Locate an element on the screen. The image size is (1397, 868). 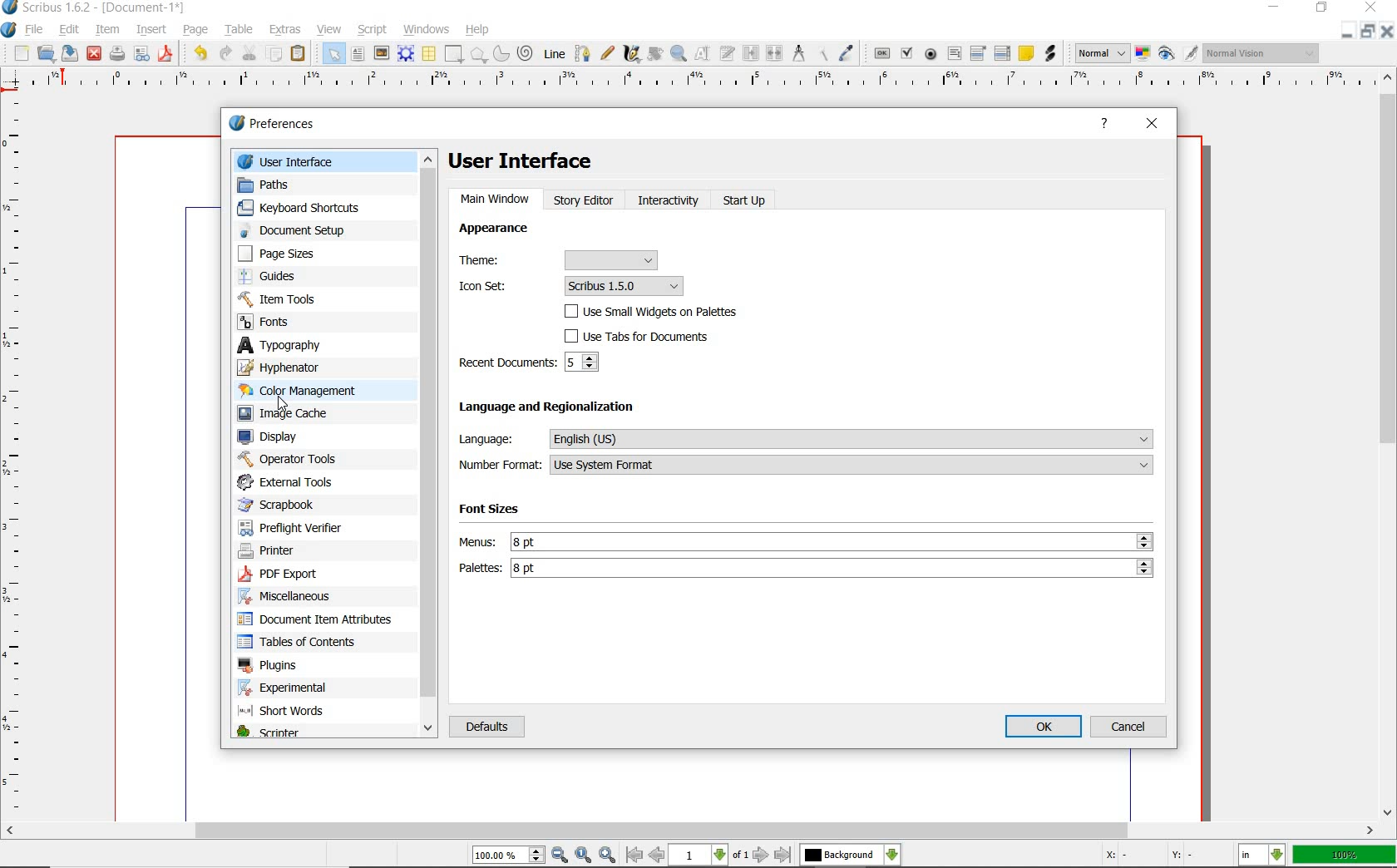
page sizes is located at coordinates (290, 254).